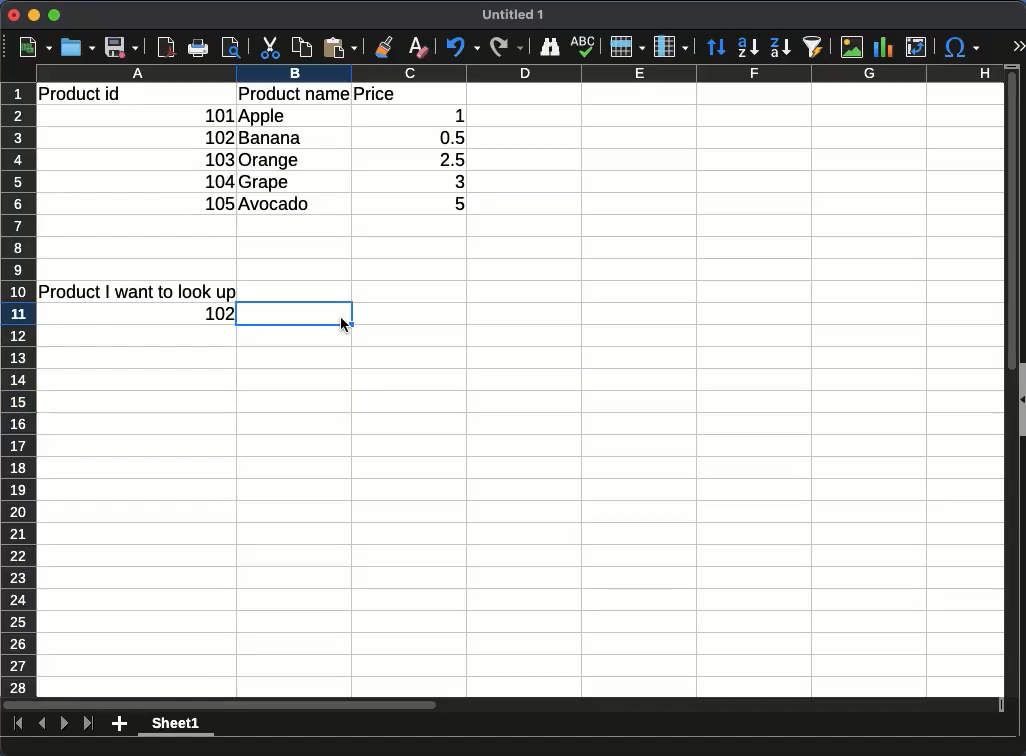  I want to click on chart, so click(883, 47).